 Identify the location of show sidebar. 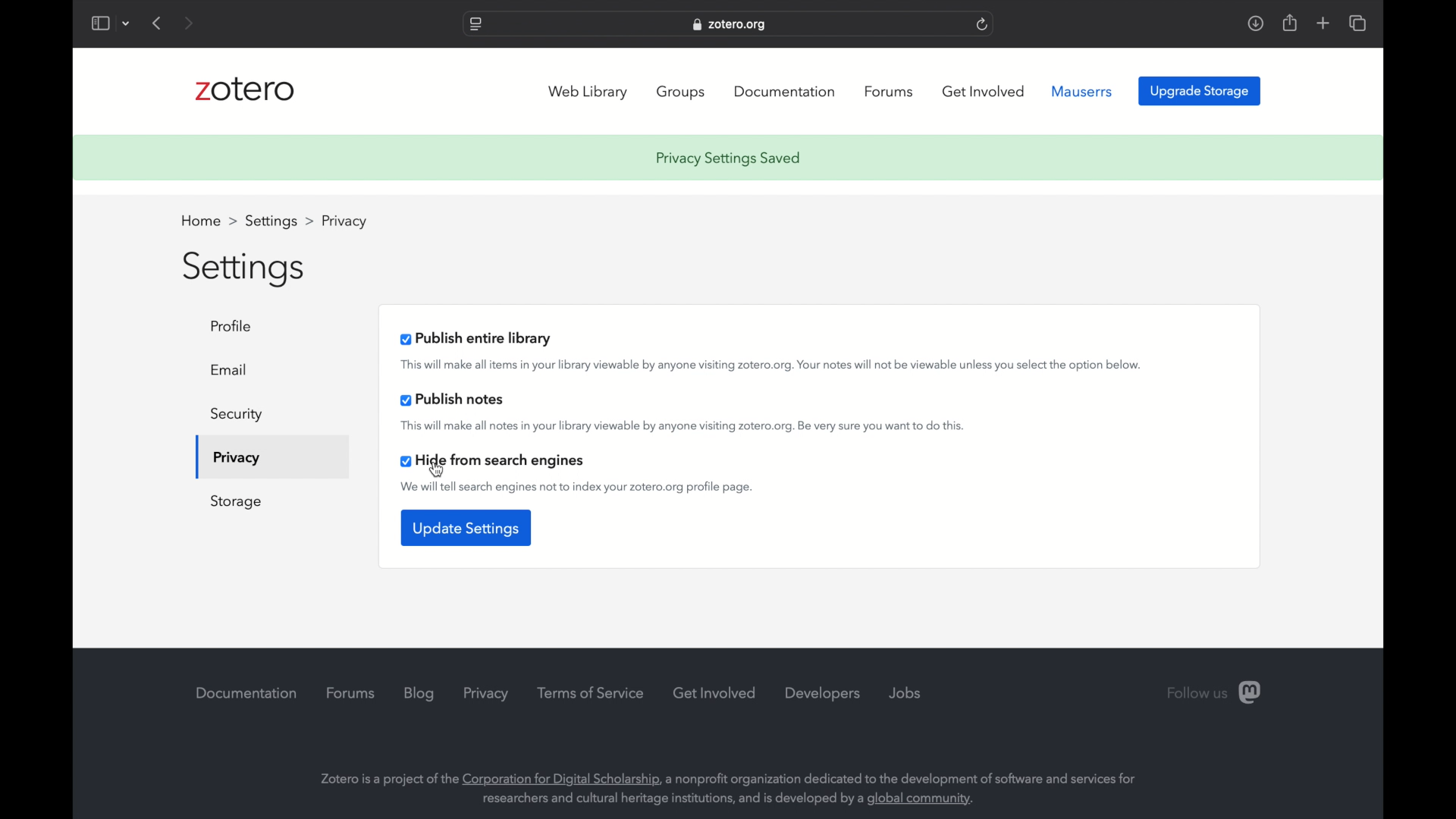
(99, 24).